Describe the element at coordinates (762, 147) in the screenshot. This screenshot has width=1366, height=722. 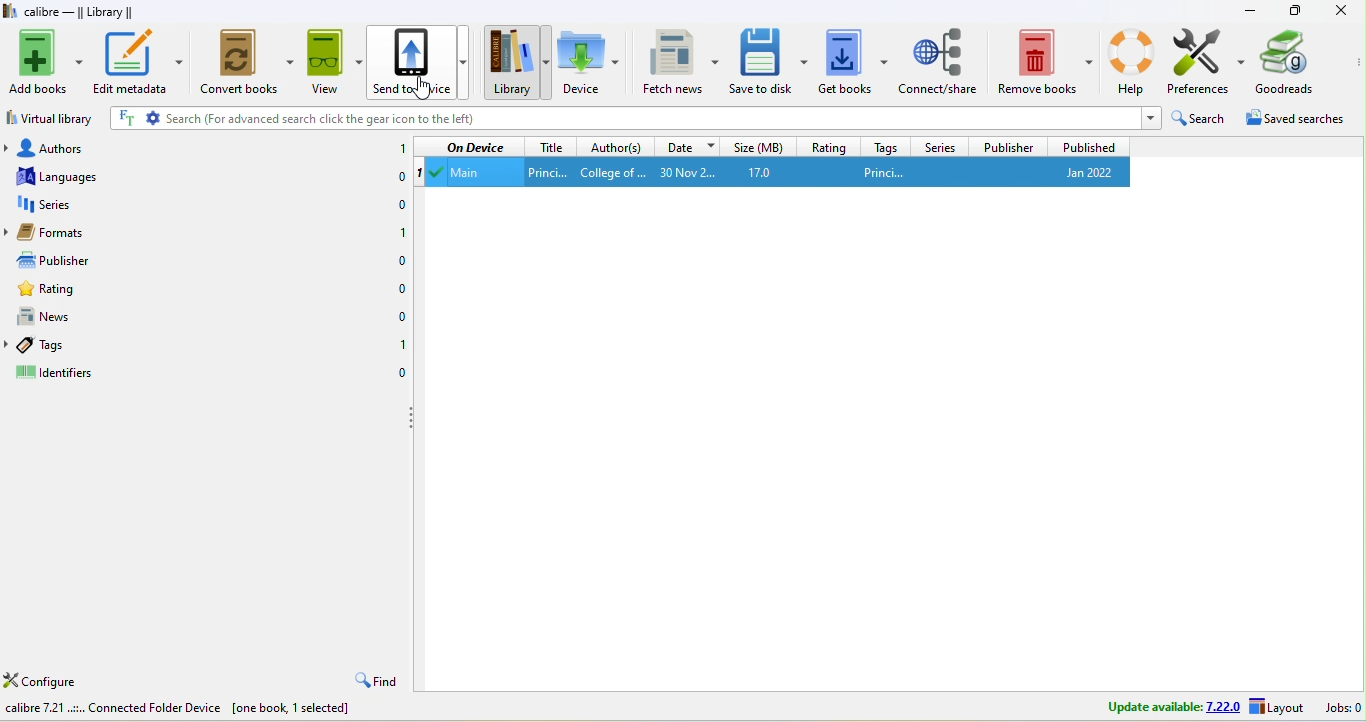
I see `size` at that location.